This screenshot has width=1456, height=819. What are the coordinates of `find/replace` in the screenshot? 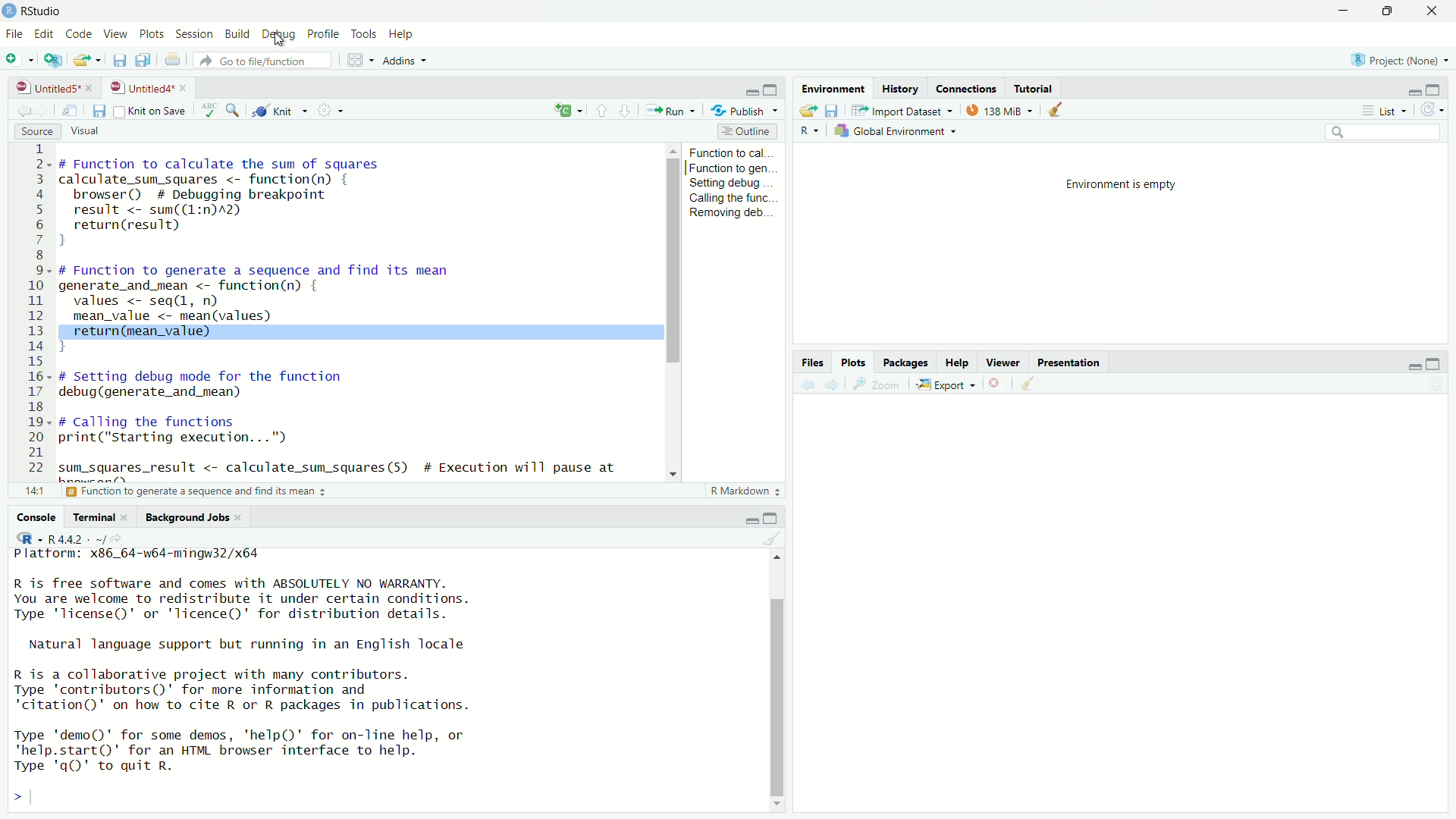 It's located at (237, 111).